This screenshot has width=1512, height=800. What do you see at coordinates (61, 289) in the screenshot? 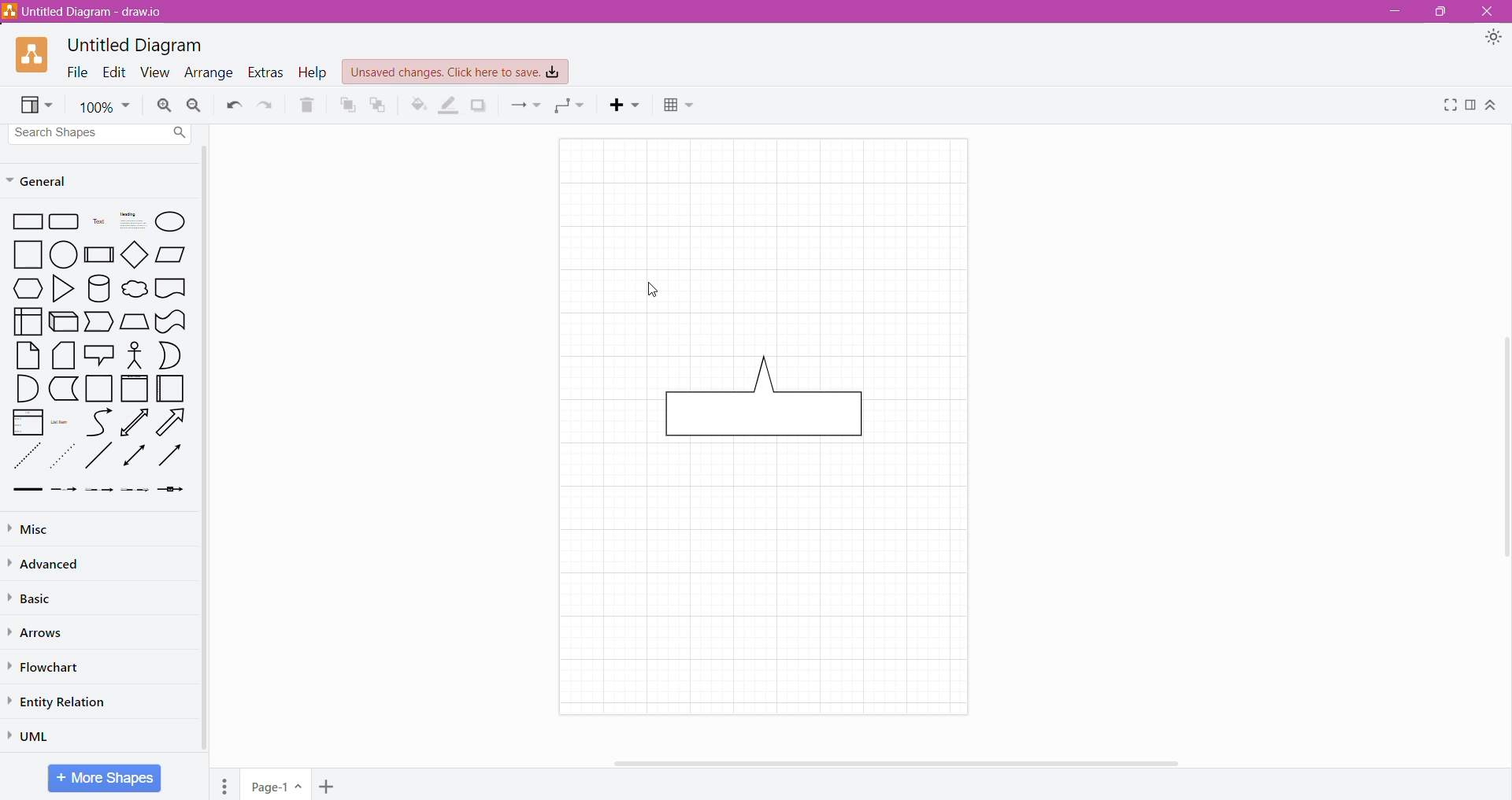
I see `triangle` at bounding box center [61, 289].